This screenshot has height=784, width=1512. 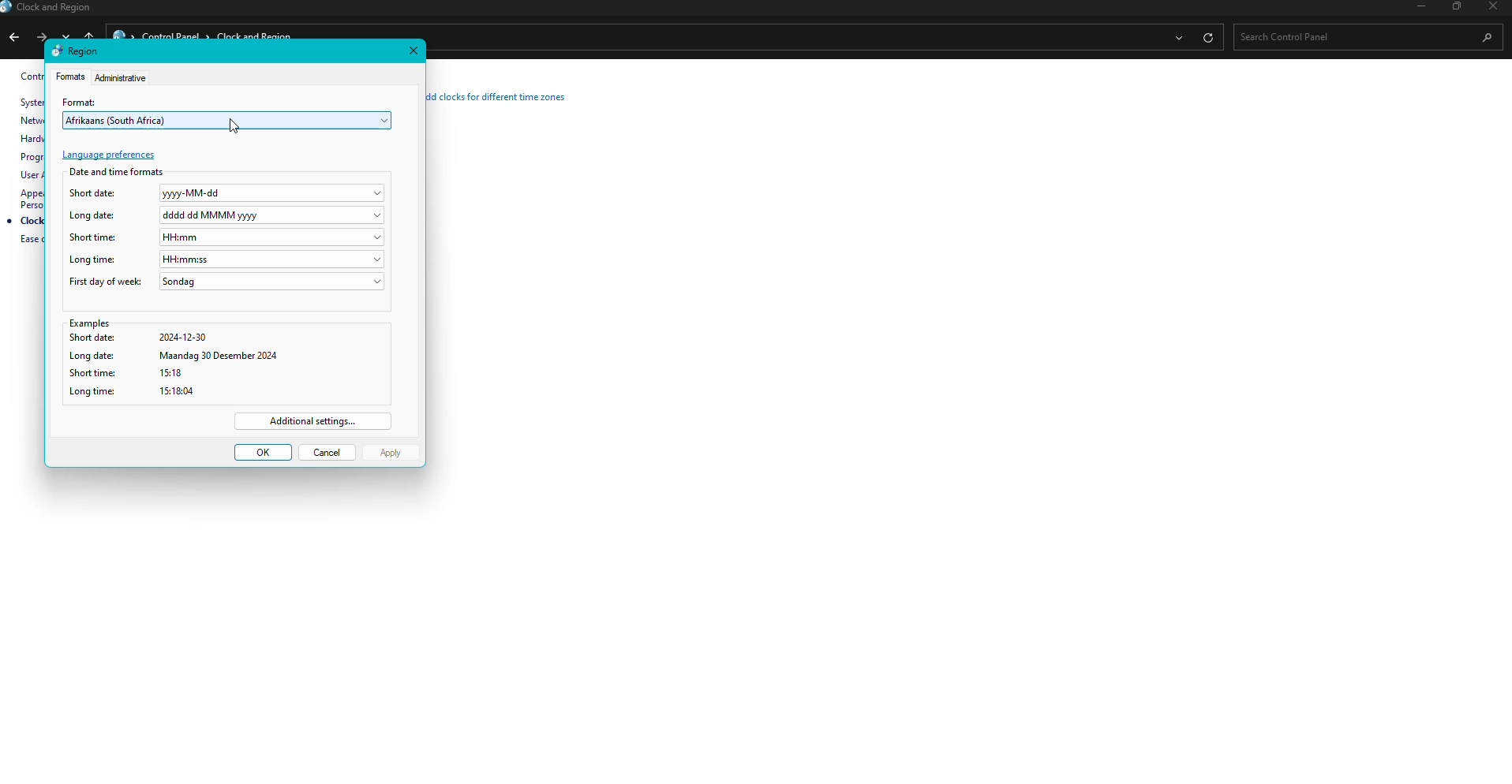 What do you see at coordinates (391, 454) in the screenshot?
I see `Apply` at bounding box center [391, 454].